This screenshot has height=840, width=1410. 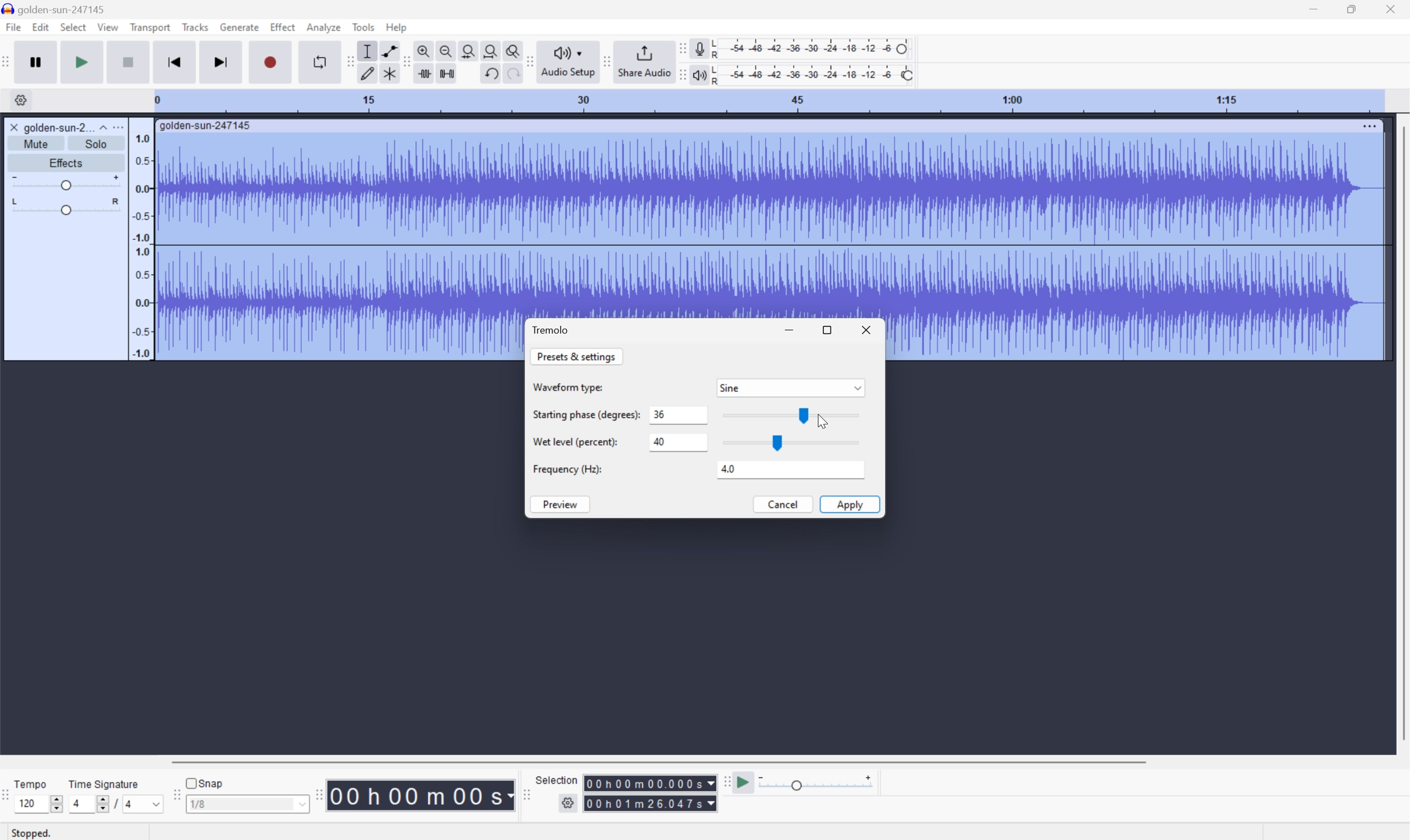 What do you see at coordinates (101, 126) in the screenshot?
I see `Drop Down` at bounding box center [101, 126].